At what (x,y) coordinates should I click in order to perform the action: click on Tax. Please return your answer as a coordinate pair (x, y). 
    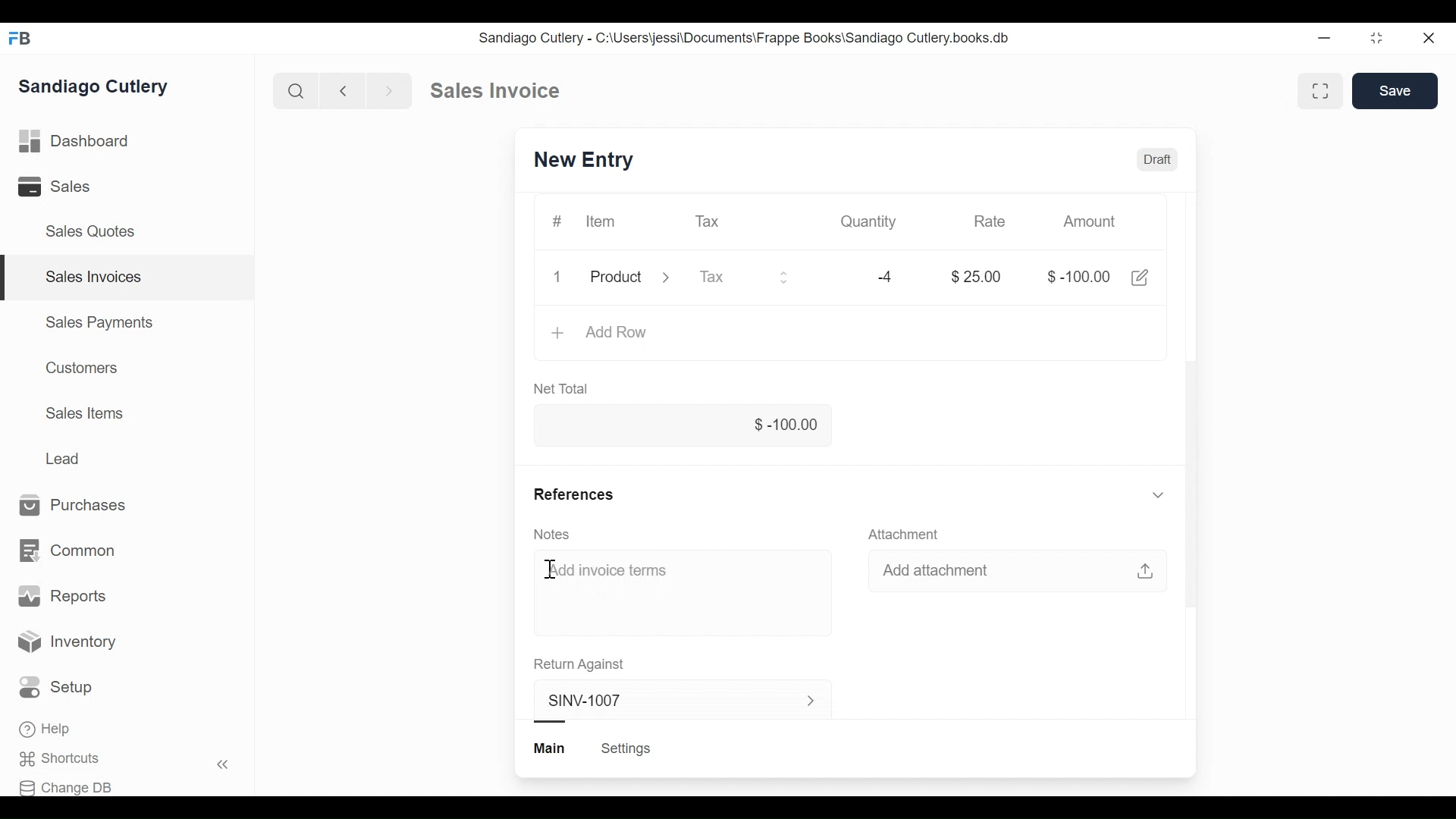
    Looking at the image, I should click on (708, 221).